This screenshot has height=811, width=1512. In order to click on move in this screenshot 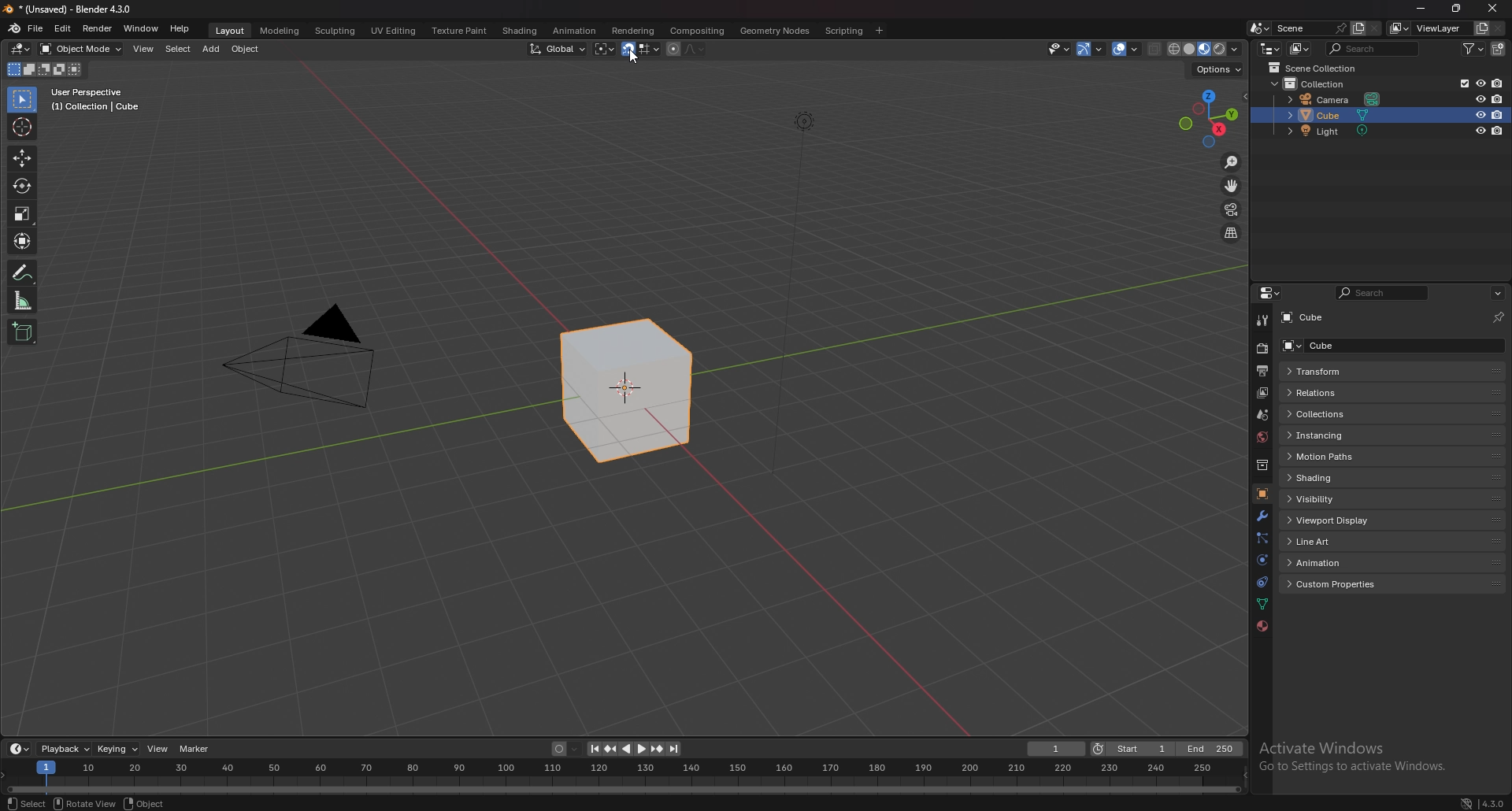, I will do `click(1231, 186)`.